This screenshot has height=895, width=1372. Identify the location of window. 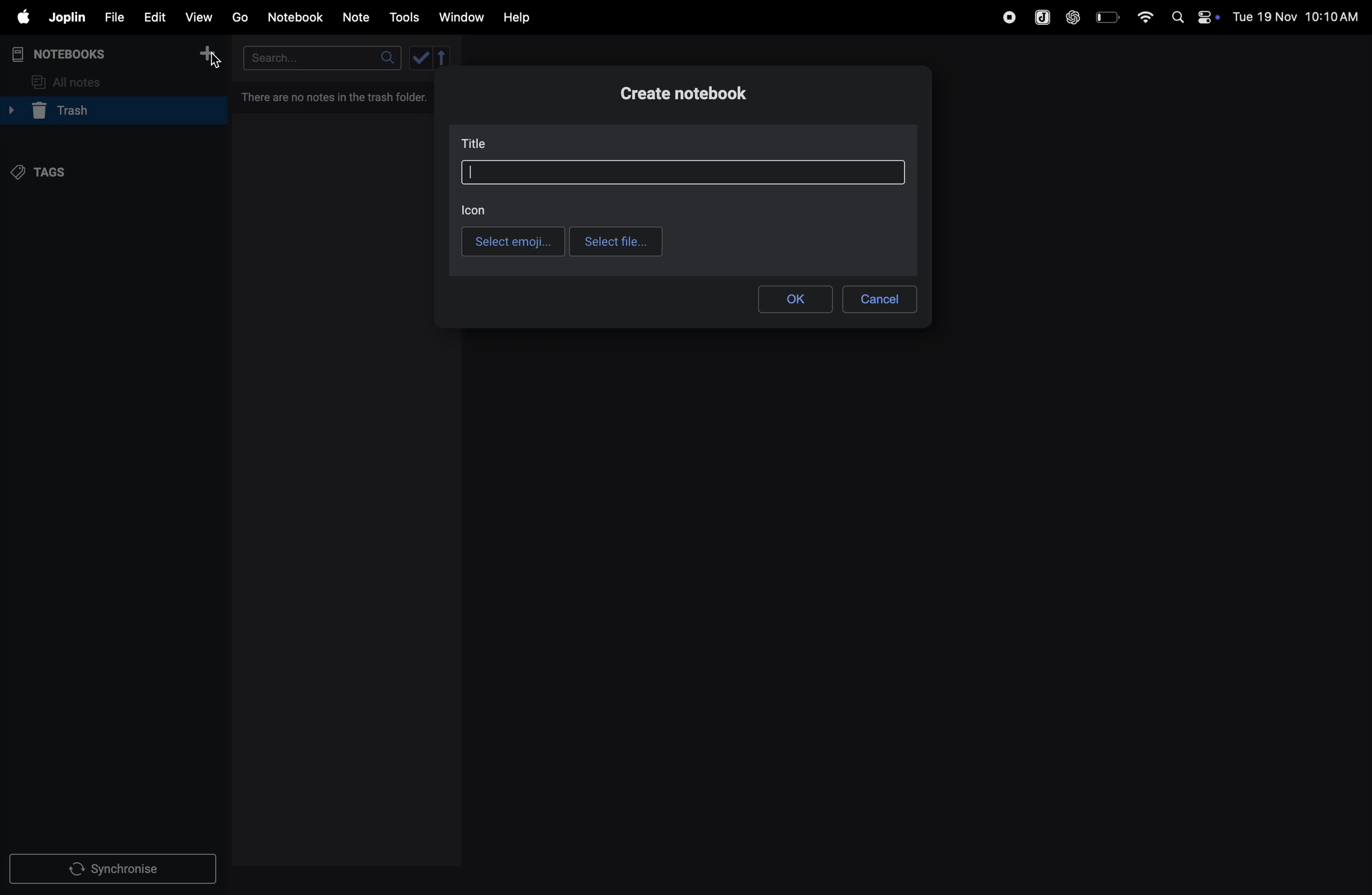
(461, 18).